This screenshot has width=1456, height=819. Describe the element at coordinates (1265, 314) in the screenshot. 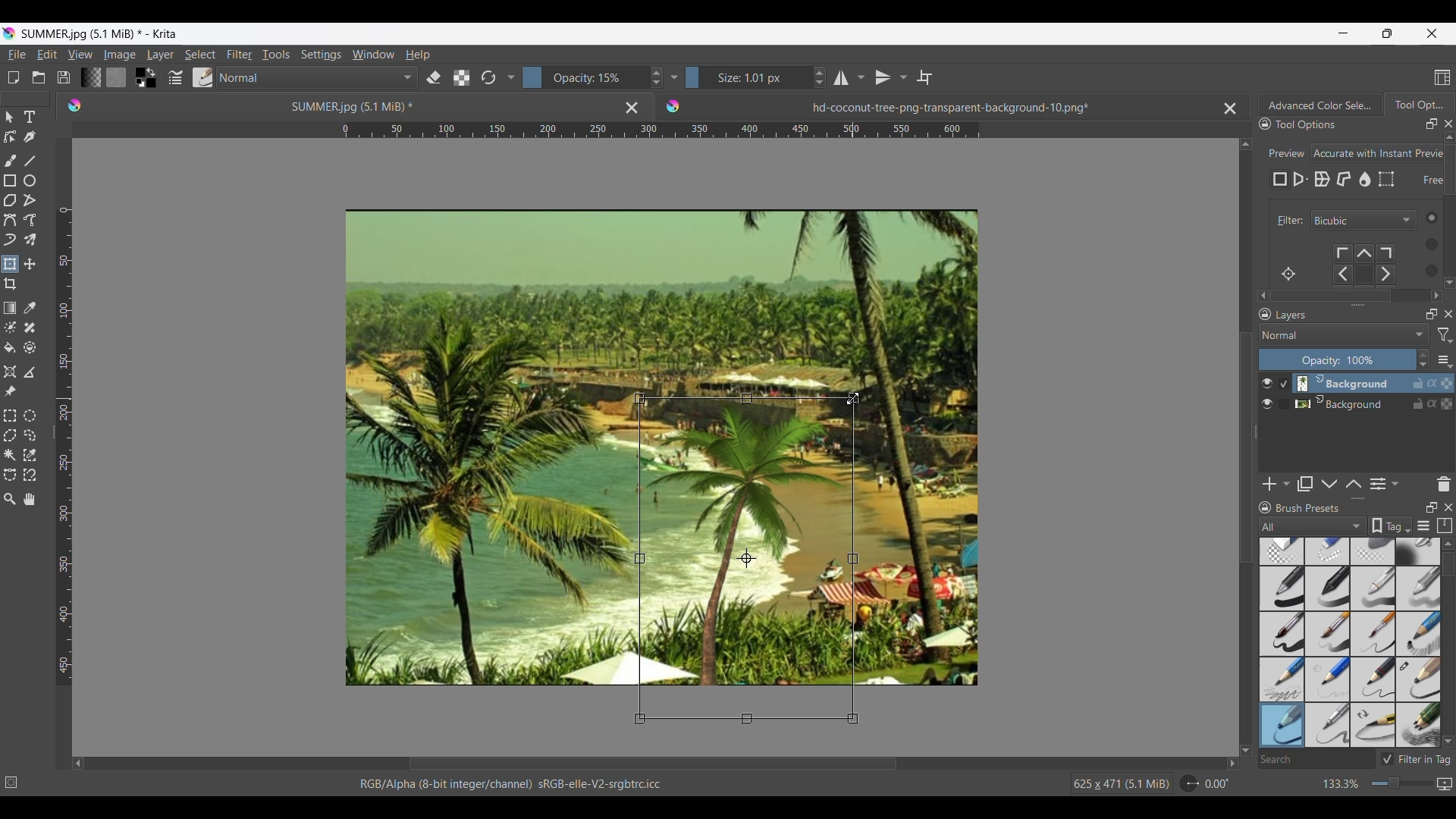

I see `Lock Layers` at that location.